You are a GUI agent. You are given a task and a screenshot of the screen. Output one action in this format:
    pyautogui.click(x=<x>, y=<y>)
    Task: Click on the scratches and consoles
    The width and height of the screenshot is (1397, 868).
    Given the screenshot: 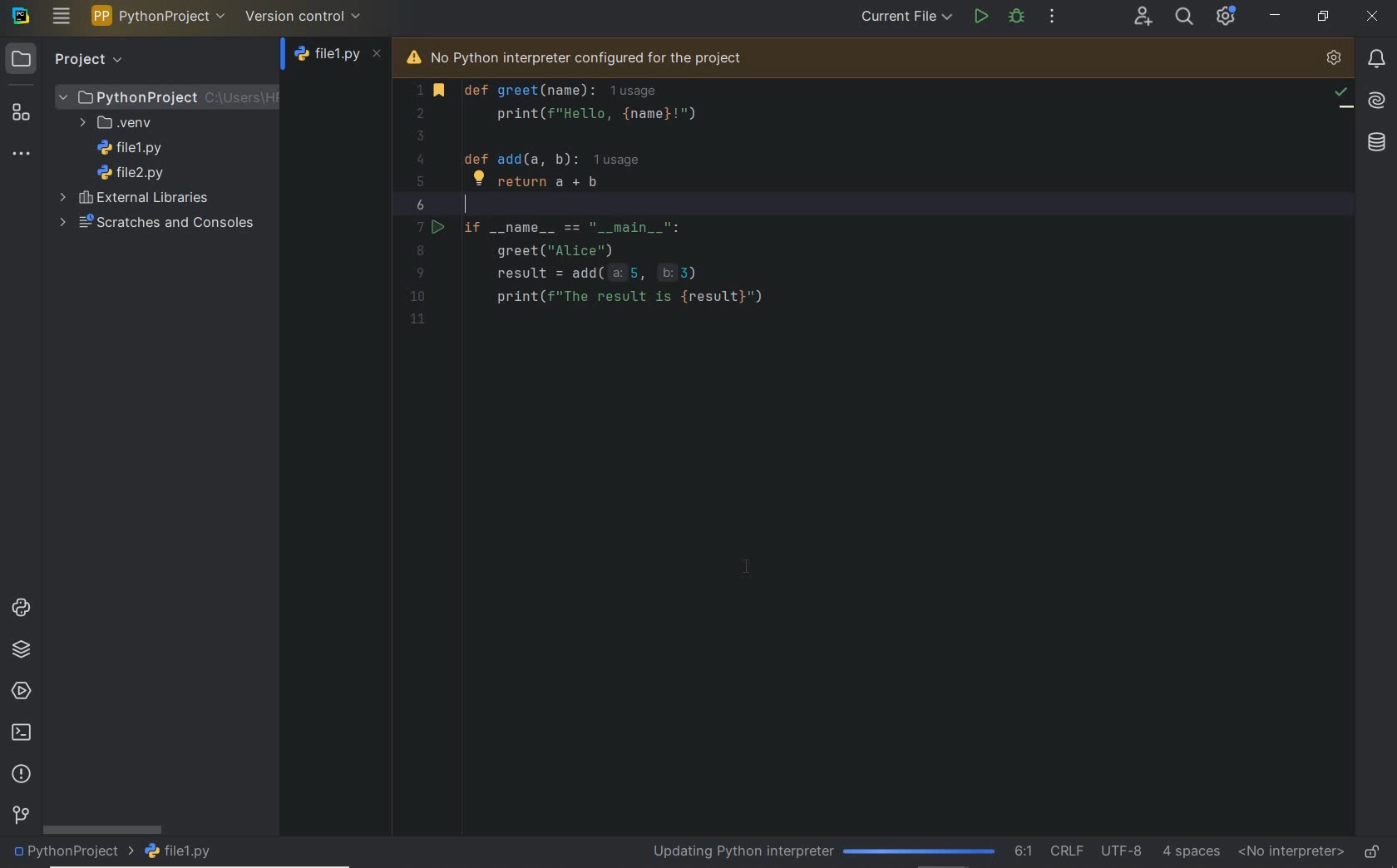 What is the action you would take?
    pyautogui.click(x=153, y=223)
    